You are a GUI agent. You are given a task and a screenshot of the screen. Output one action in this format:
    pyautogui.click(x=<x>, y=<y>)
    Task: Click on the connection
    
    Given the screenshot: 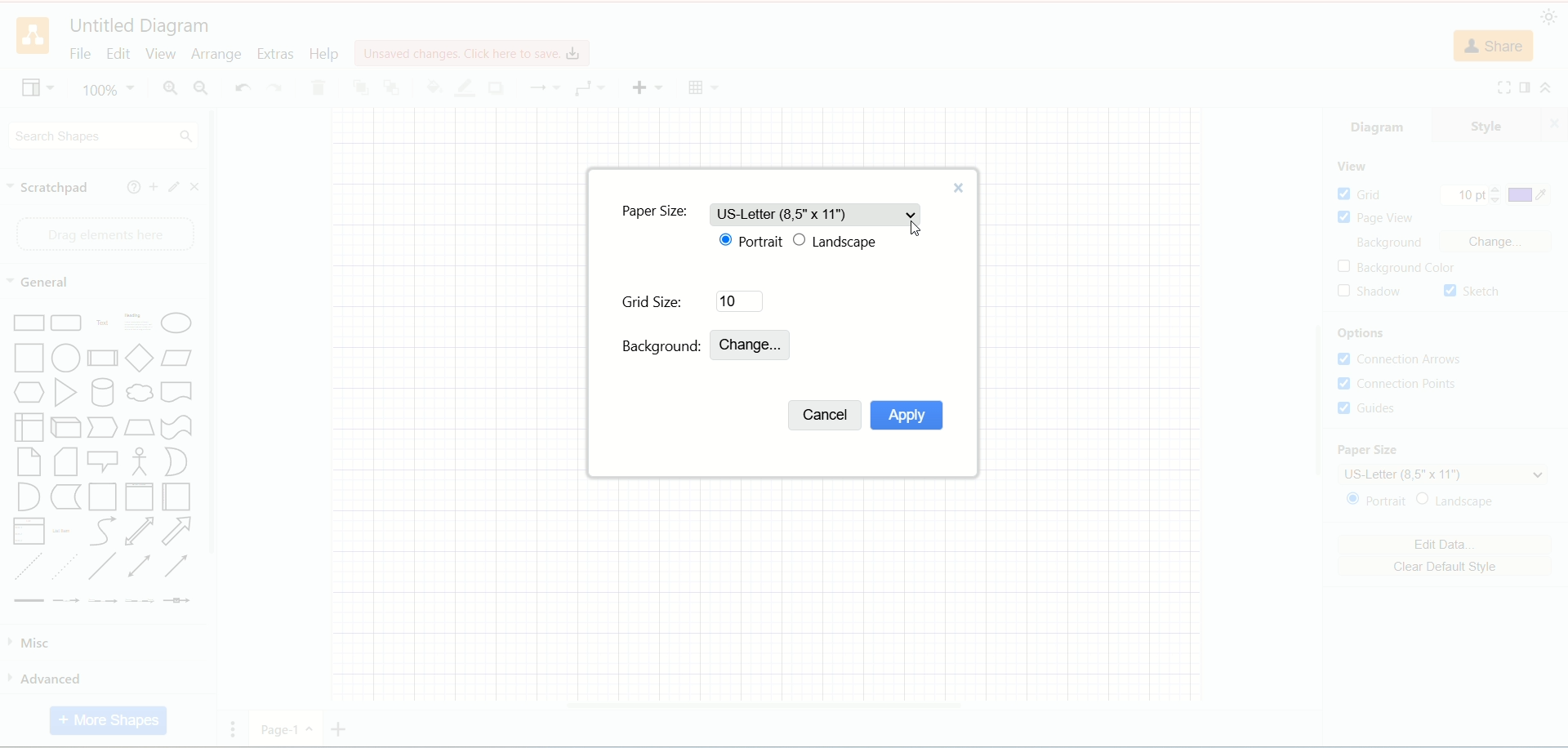 What is the action you would take?
    pyautogui.click(x=590, y=88)
    